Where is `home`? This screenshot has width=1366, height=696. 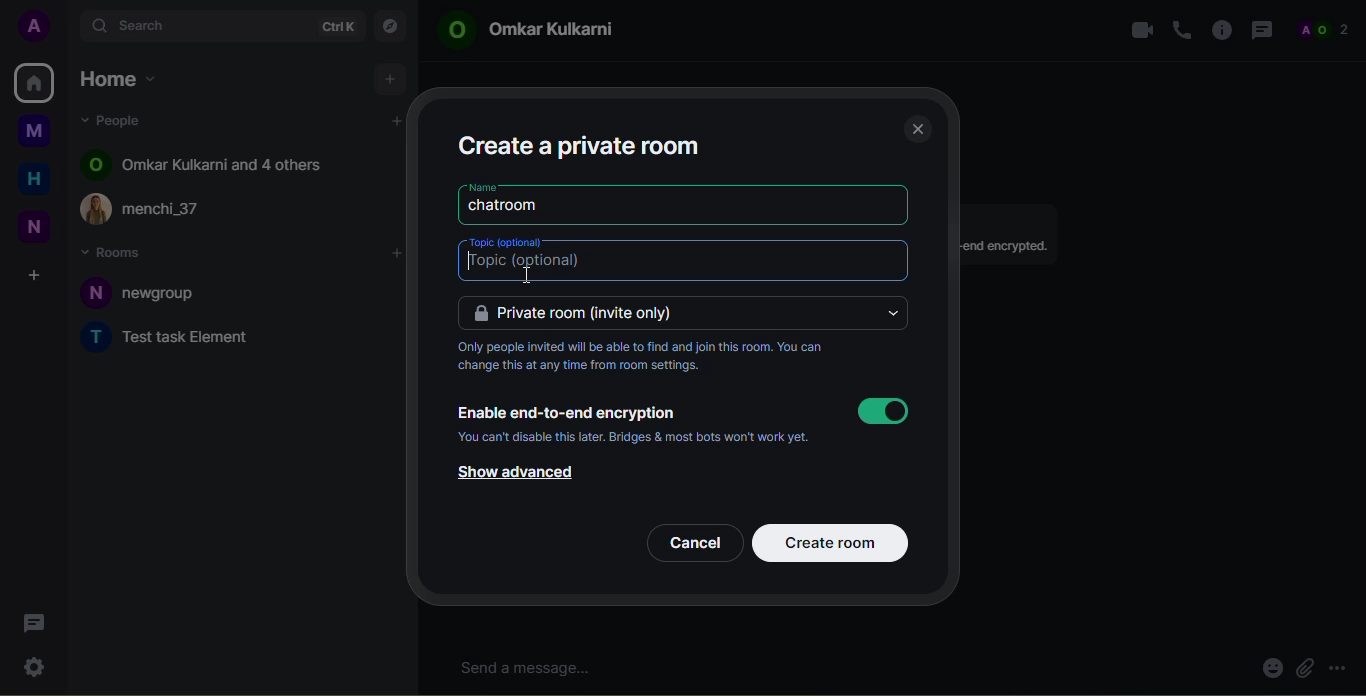 home is located at coordinates (34, 81).